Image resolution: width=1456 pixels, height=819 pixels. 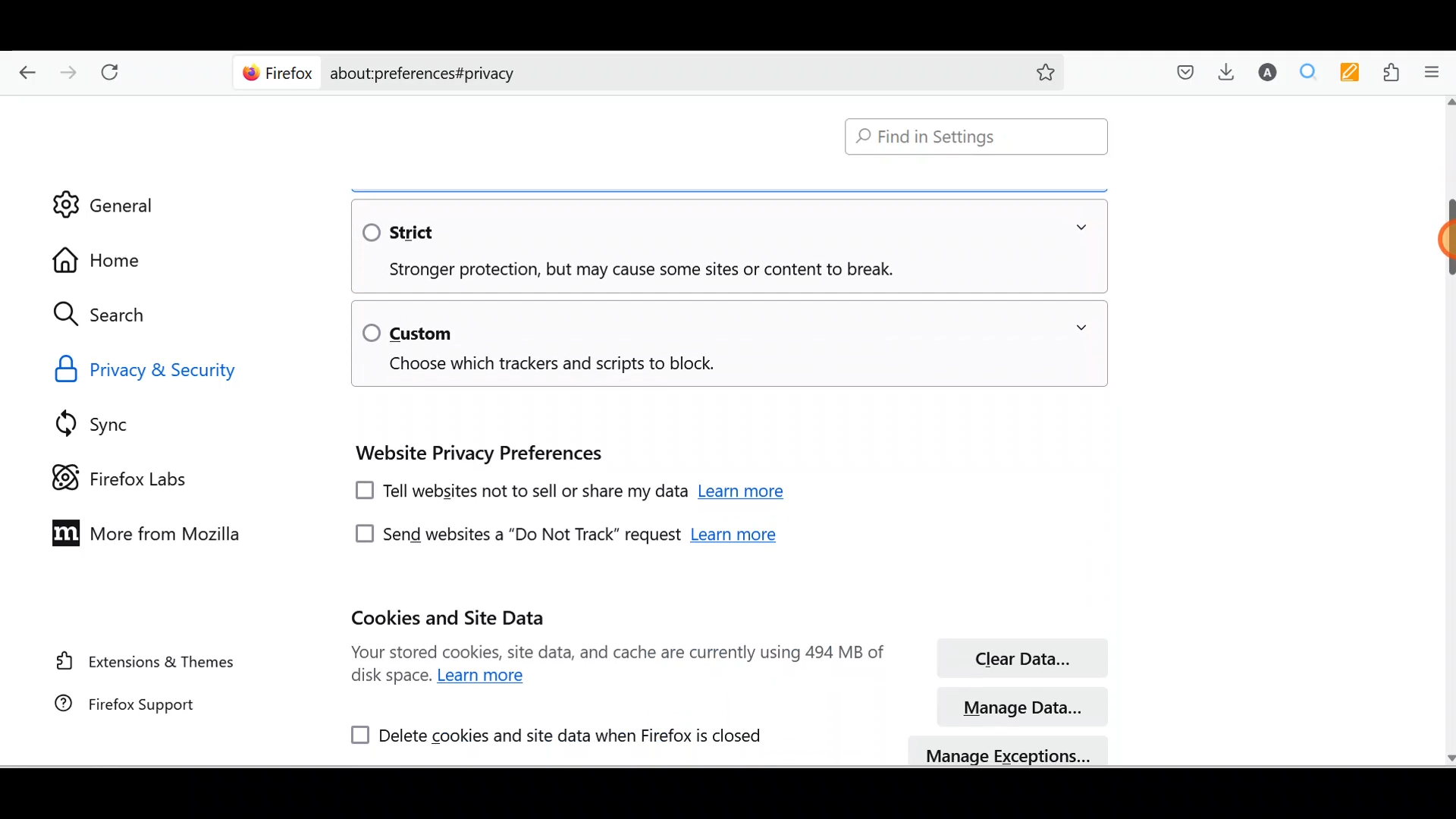 What do you see at coordinates (1081, 328) in the screenshot?
I see `expand` at bounding box center [1081, 328].